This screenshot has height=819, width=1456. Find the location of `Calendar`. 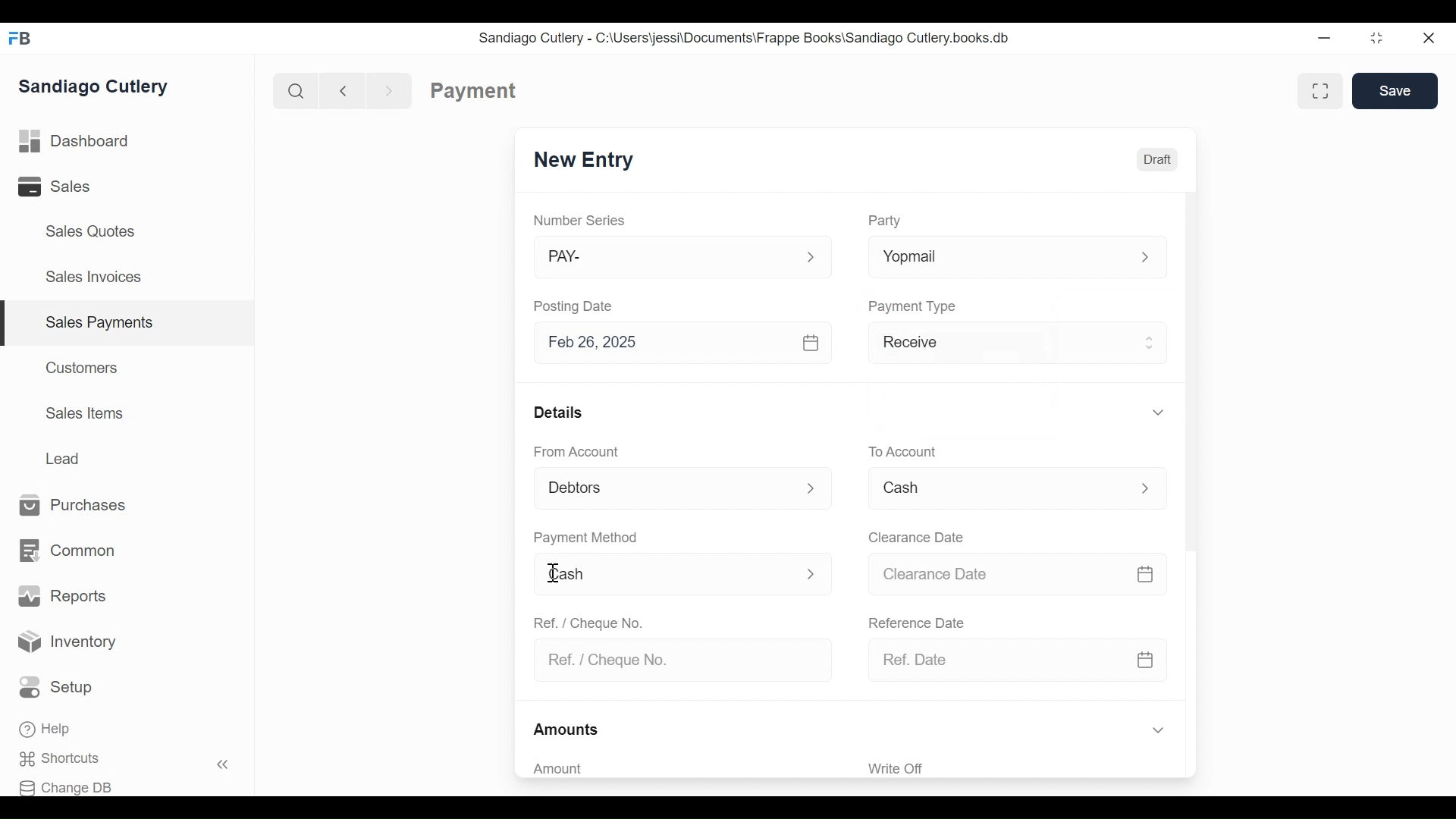

Calendar is located at coordinates (1146, 576).